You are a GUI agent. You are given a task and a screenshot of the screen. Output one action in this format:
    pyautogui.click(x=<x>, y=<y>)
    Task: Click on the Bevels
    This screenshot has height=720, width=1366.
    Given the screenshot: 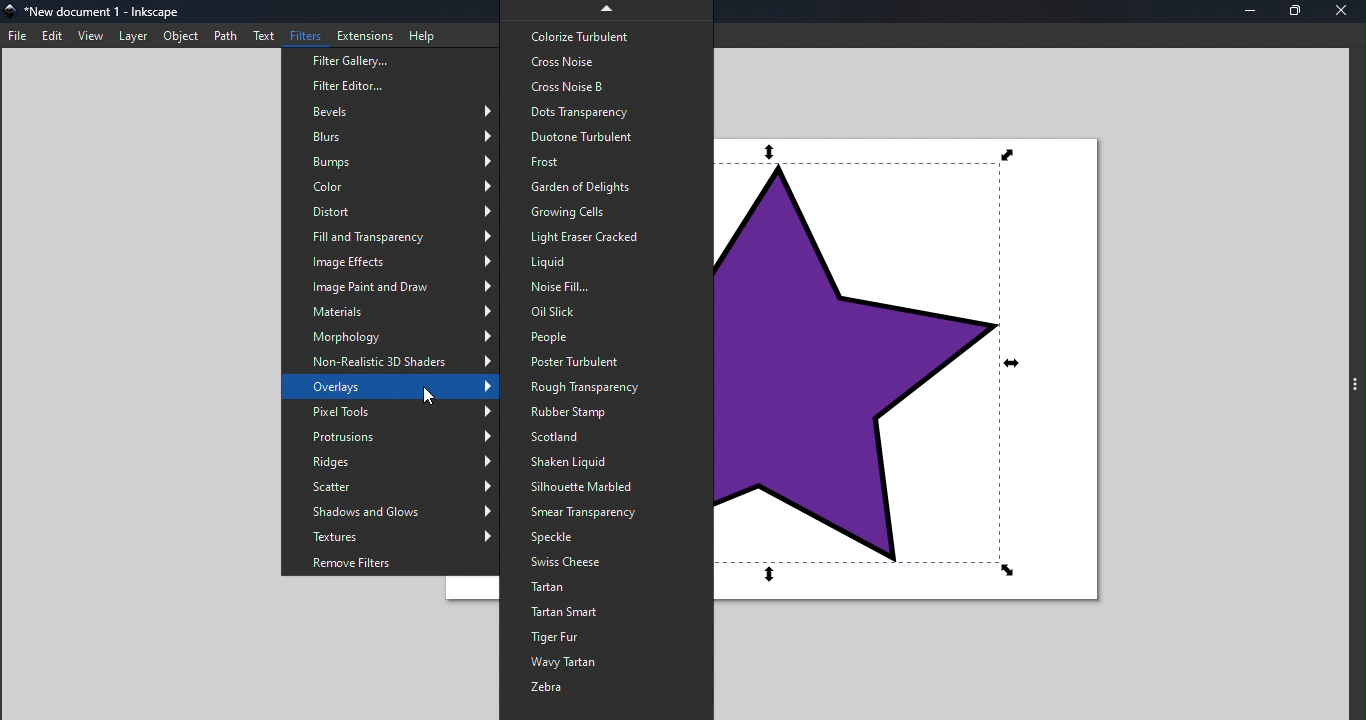 What is the action you would take?
    pyautogui.click(x=388, y=110)
    